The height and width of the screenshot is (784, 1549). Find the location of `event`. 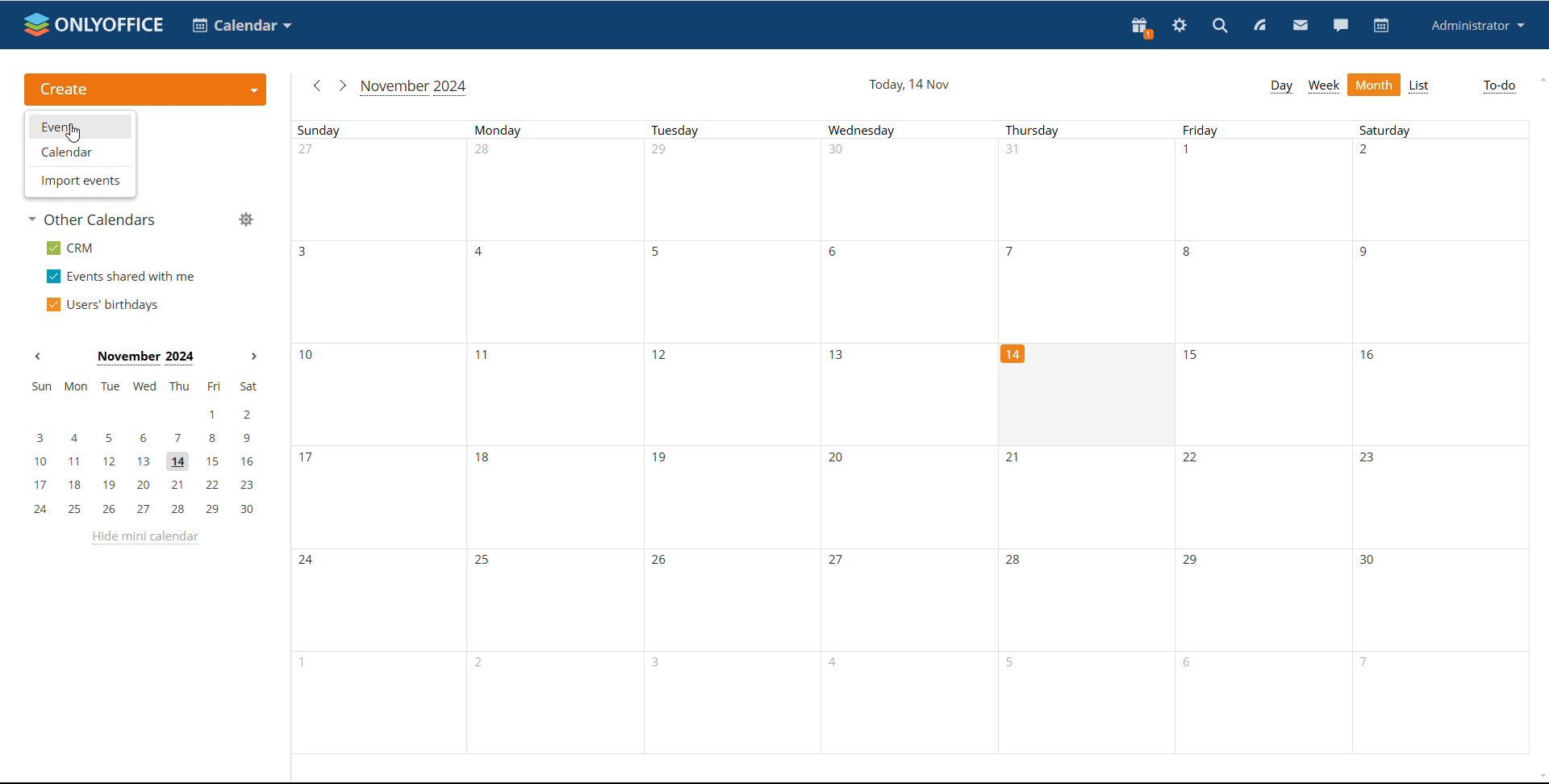

event is located at coordinates (80, 127).